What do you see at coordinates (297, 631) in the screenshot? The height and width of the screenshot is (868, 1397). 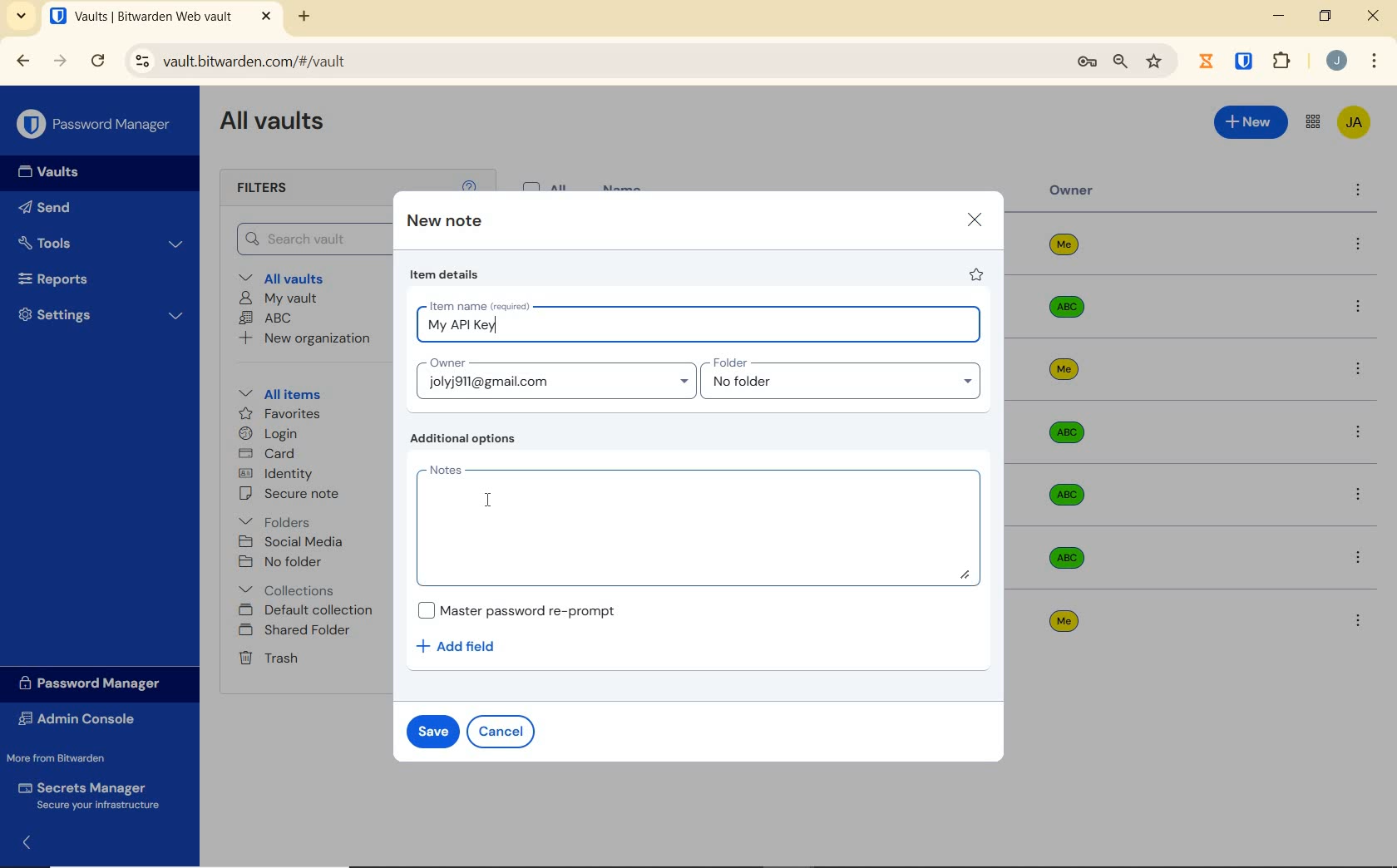 I see `shared folder` at bounding box center [297, 631].